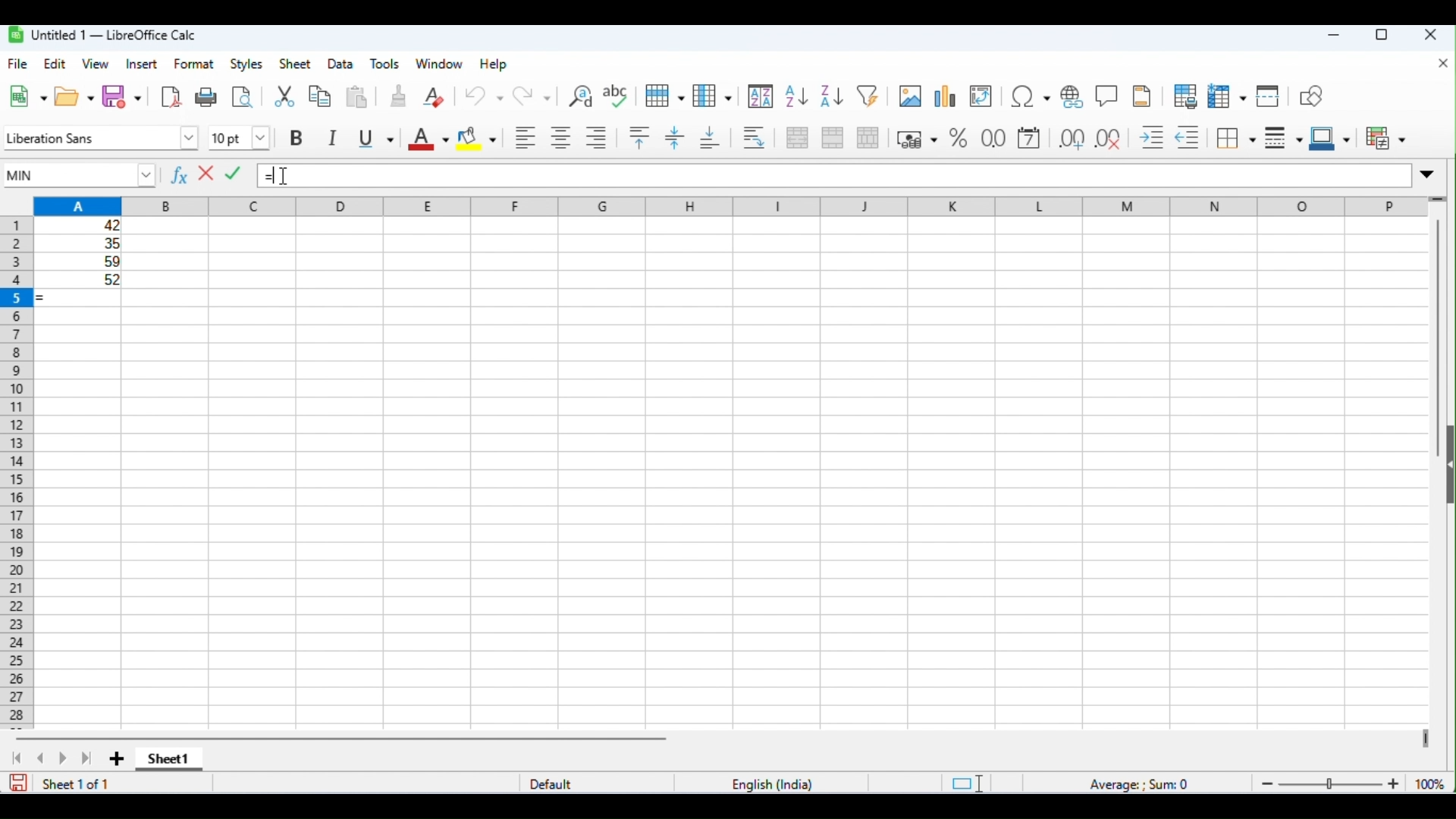 The height and width of the screenshot is (819, 1456). I want to click on add new sheet, so click(115, 760).